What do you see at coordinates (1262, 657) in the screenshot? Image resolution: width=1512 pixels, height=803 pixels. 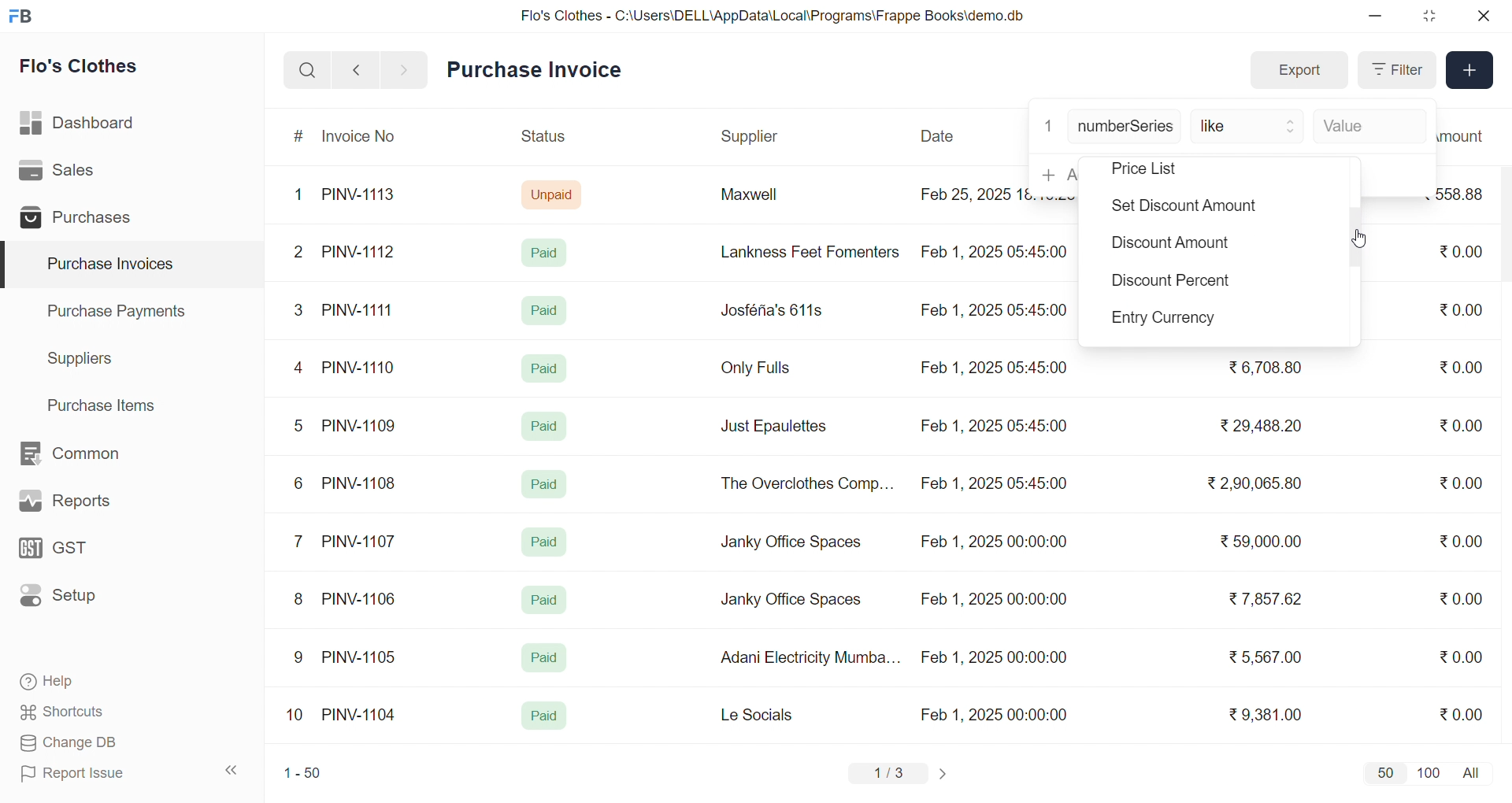 I see `₹ 5,567.00` at bounding box center [1262, 657].